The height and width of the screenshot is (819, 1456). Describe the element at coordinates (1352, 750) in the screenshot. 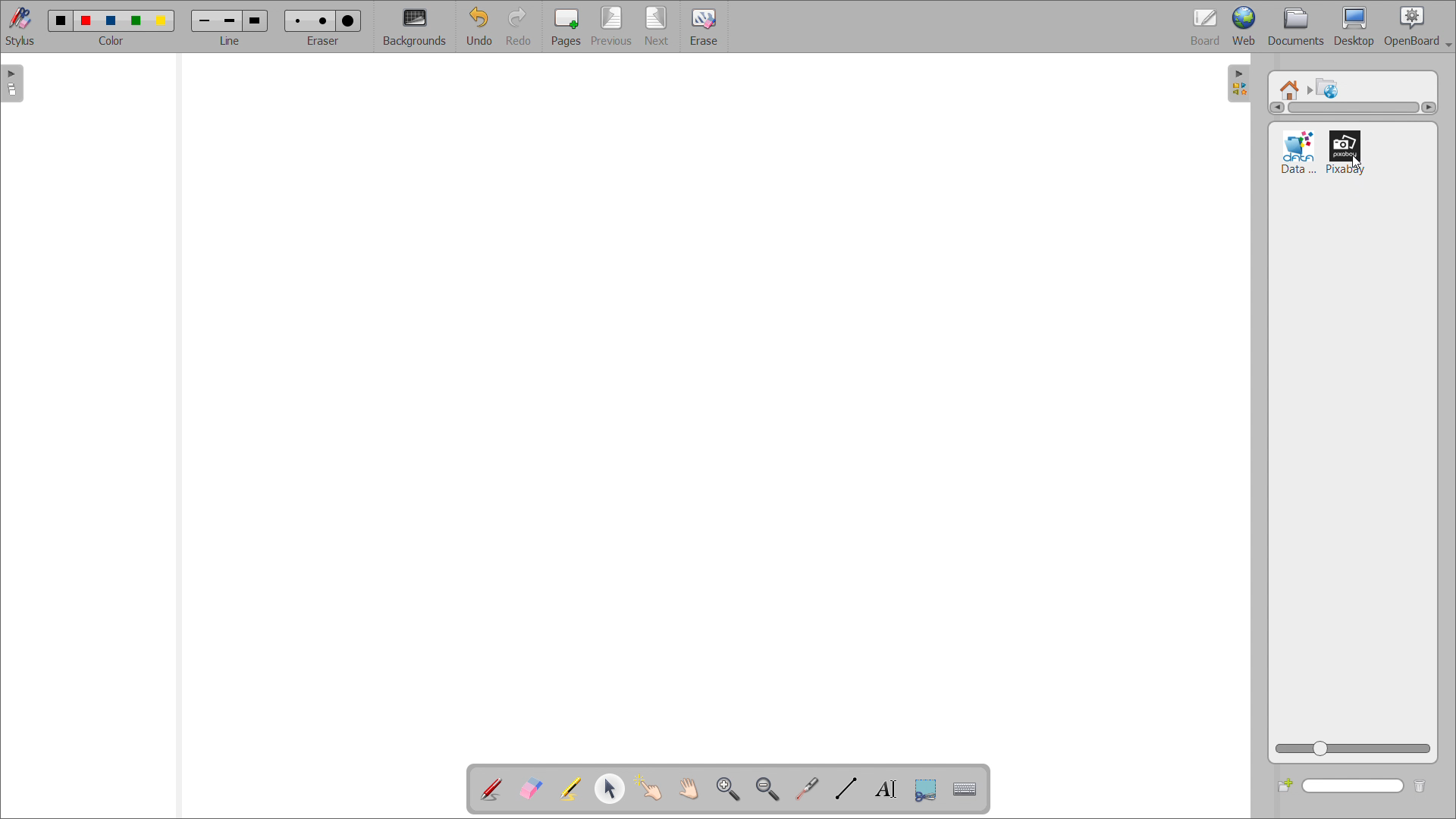

I see `zoom view slider` at that location.